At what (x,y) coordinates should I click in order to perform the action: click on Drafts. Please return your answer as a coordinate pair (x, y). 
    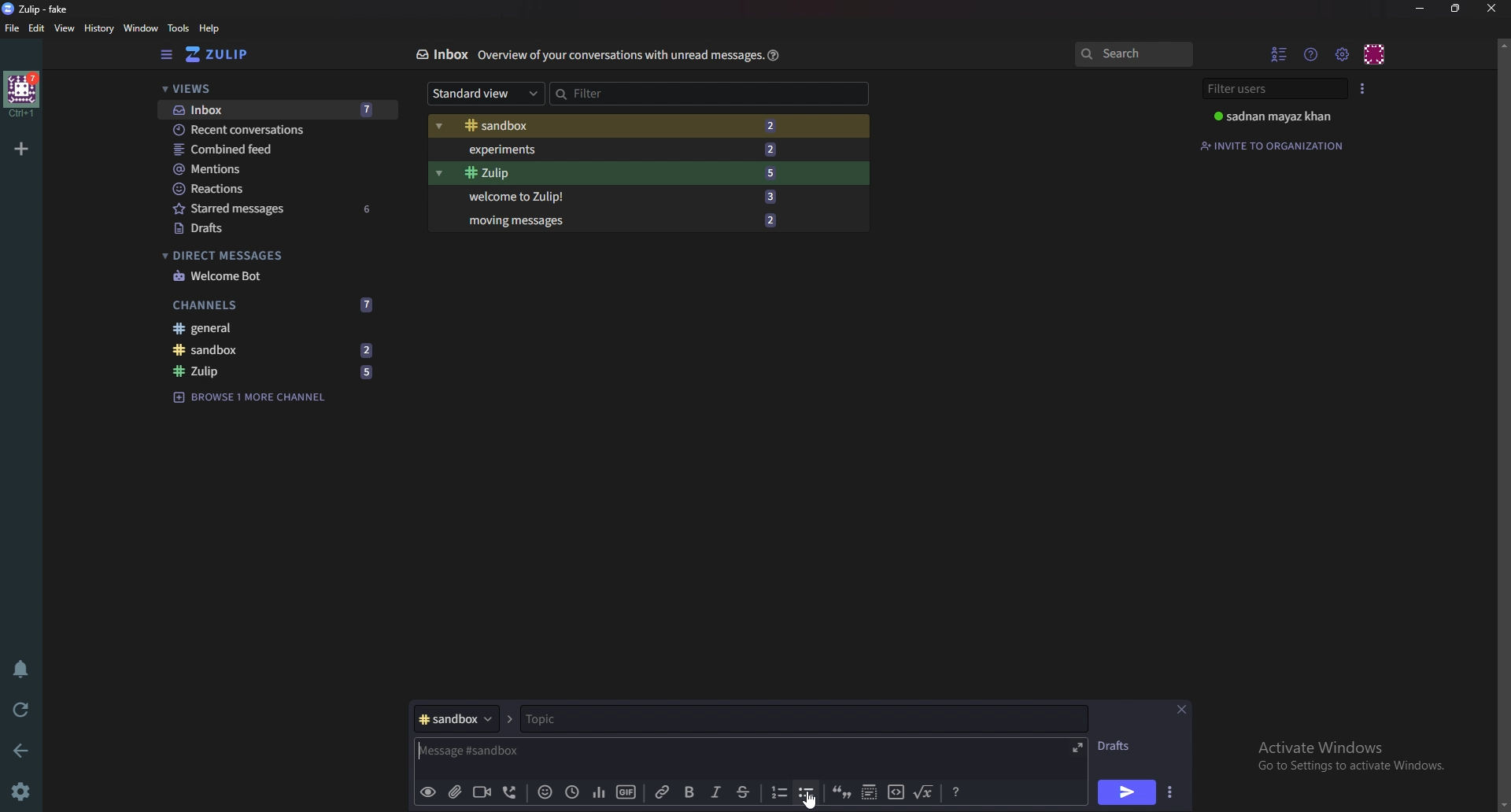
    Looking at the image, I should click on (275, 230).